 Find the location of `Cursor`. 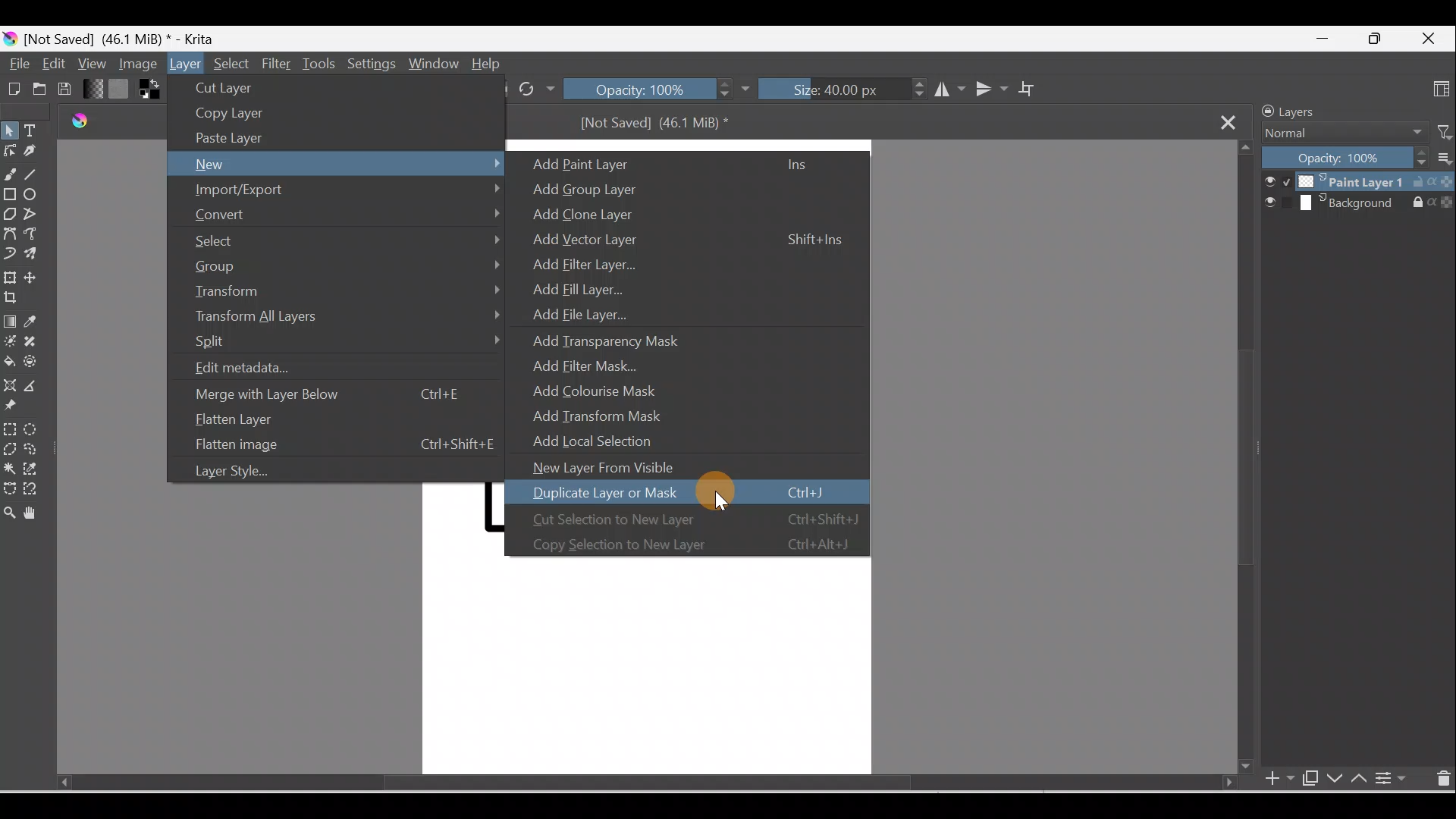

Cursor is located at coordinates (721, 500).